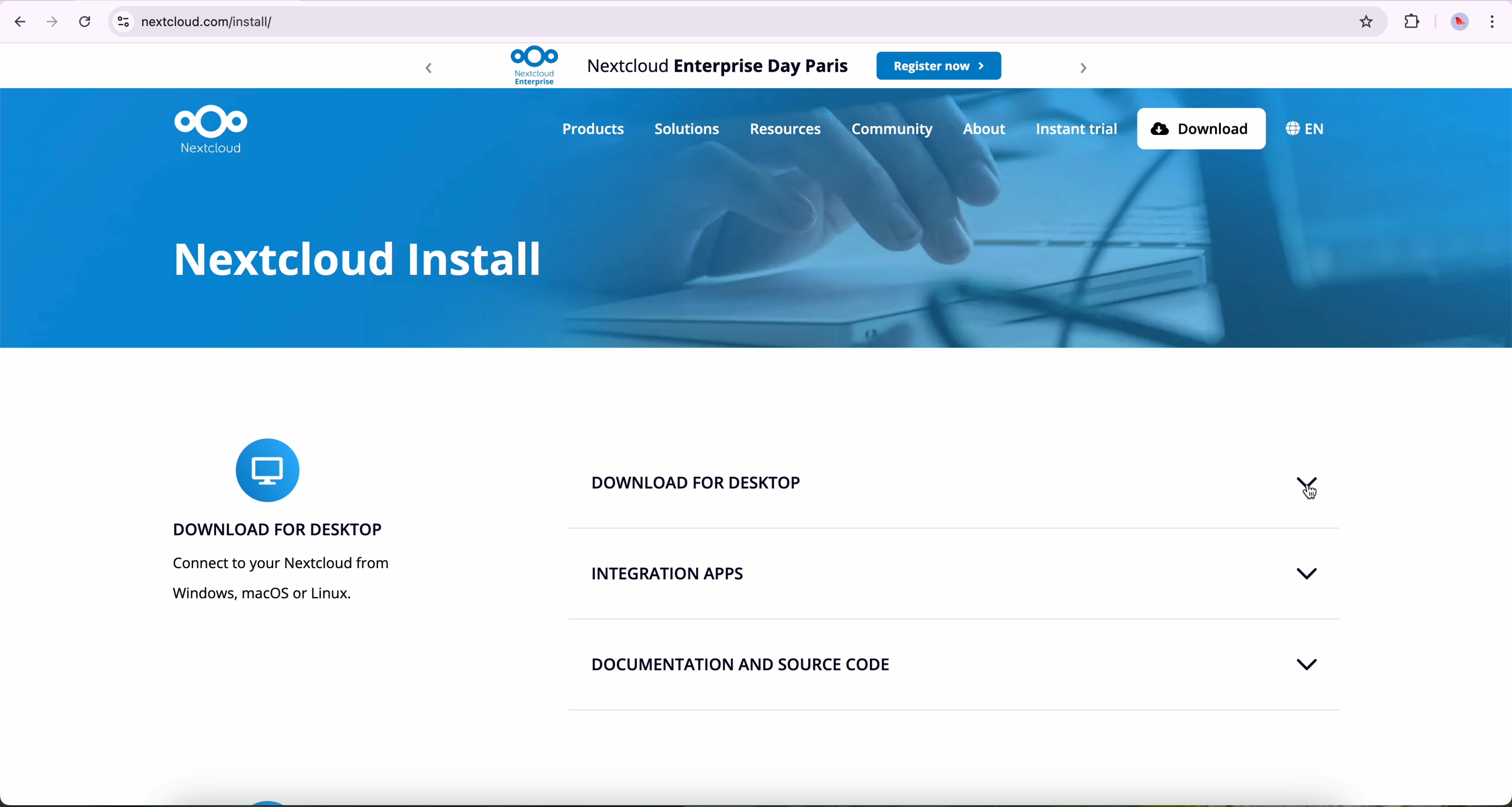  What do you see at coordinates (987, 129) in the screenshot?
I see `about` at bounding box center [987, 129].